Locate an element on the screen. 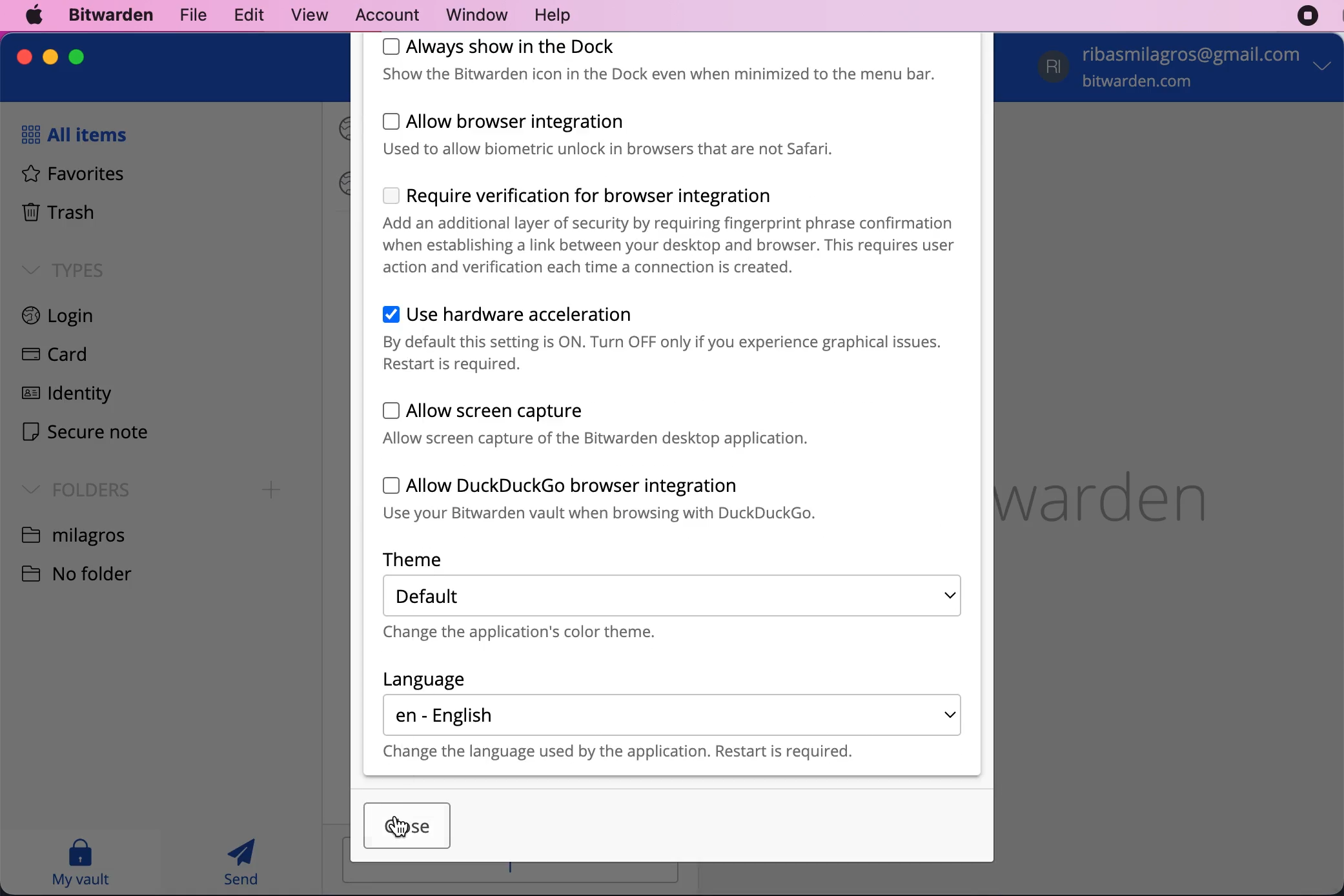 The width and height of the screenshot is (1344, 896). allow screen capture is located at coordinates (605, 421).